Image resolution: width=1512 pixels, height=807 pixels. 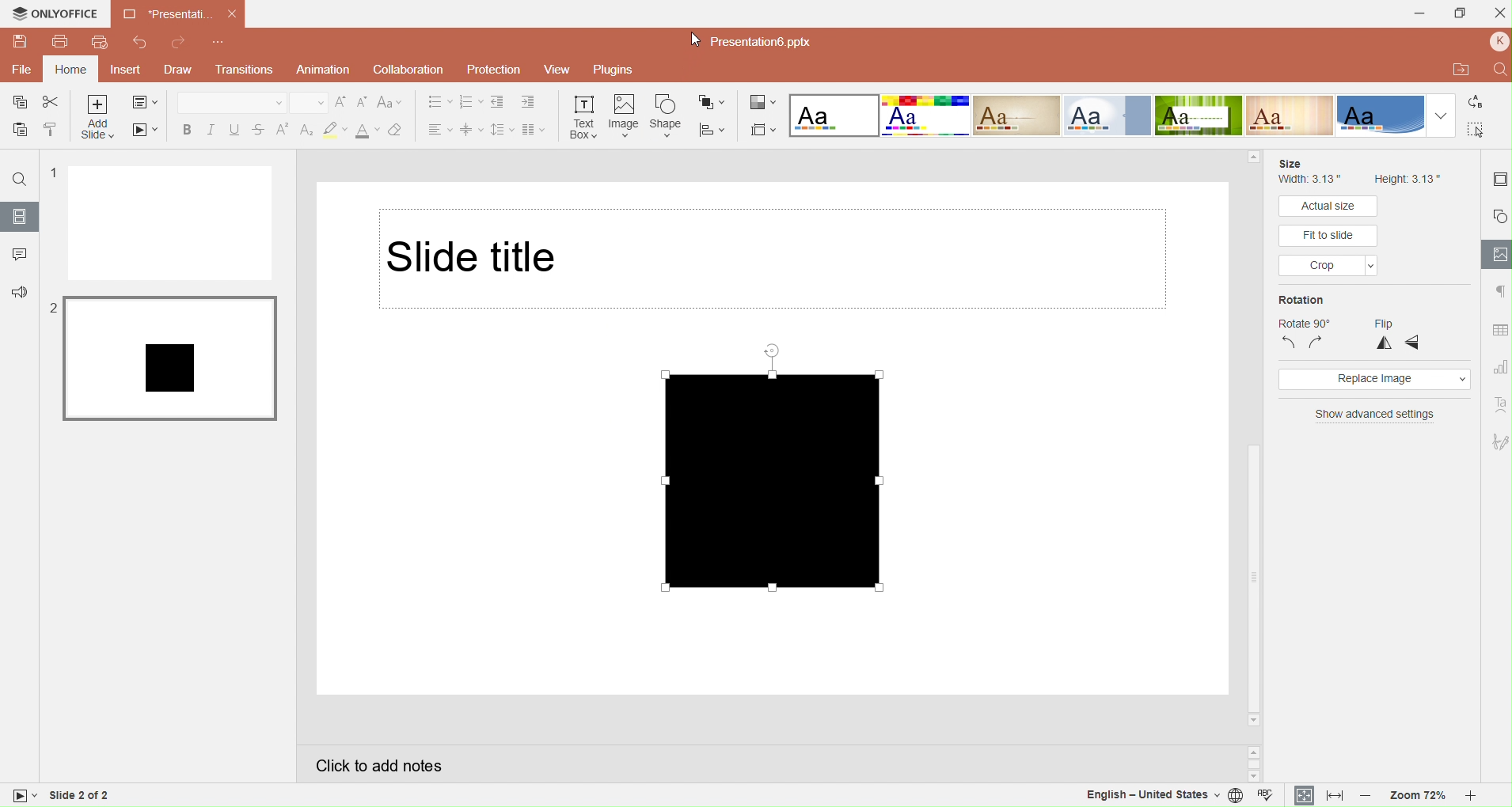 I want to click on Opacity size, so click(x=1441, y=257).